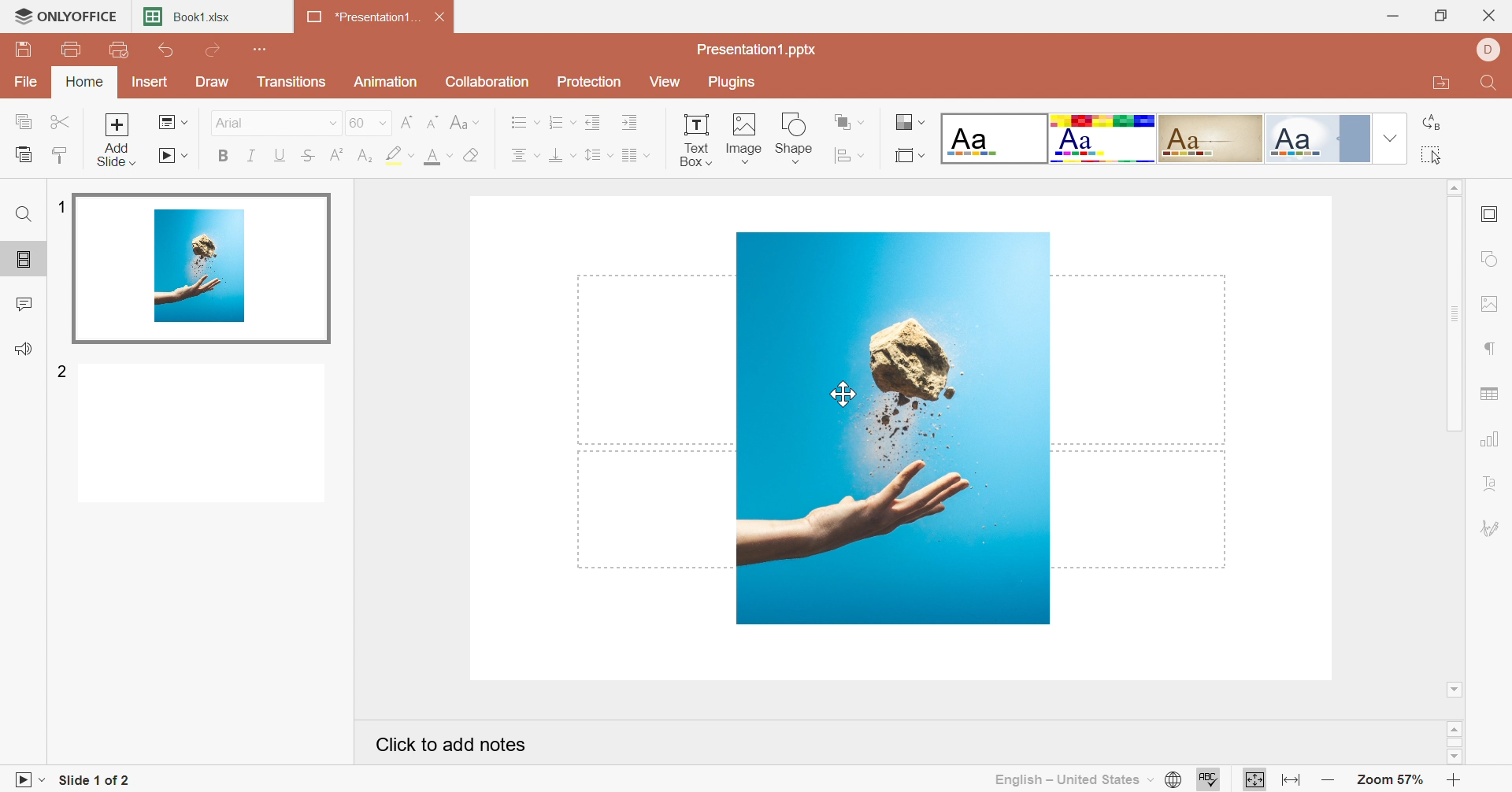  Describe the element at coordinates (1493, 483) in the screenshot. I see `Text art settings` at that location.